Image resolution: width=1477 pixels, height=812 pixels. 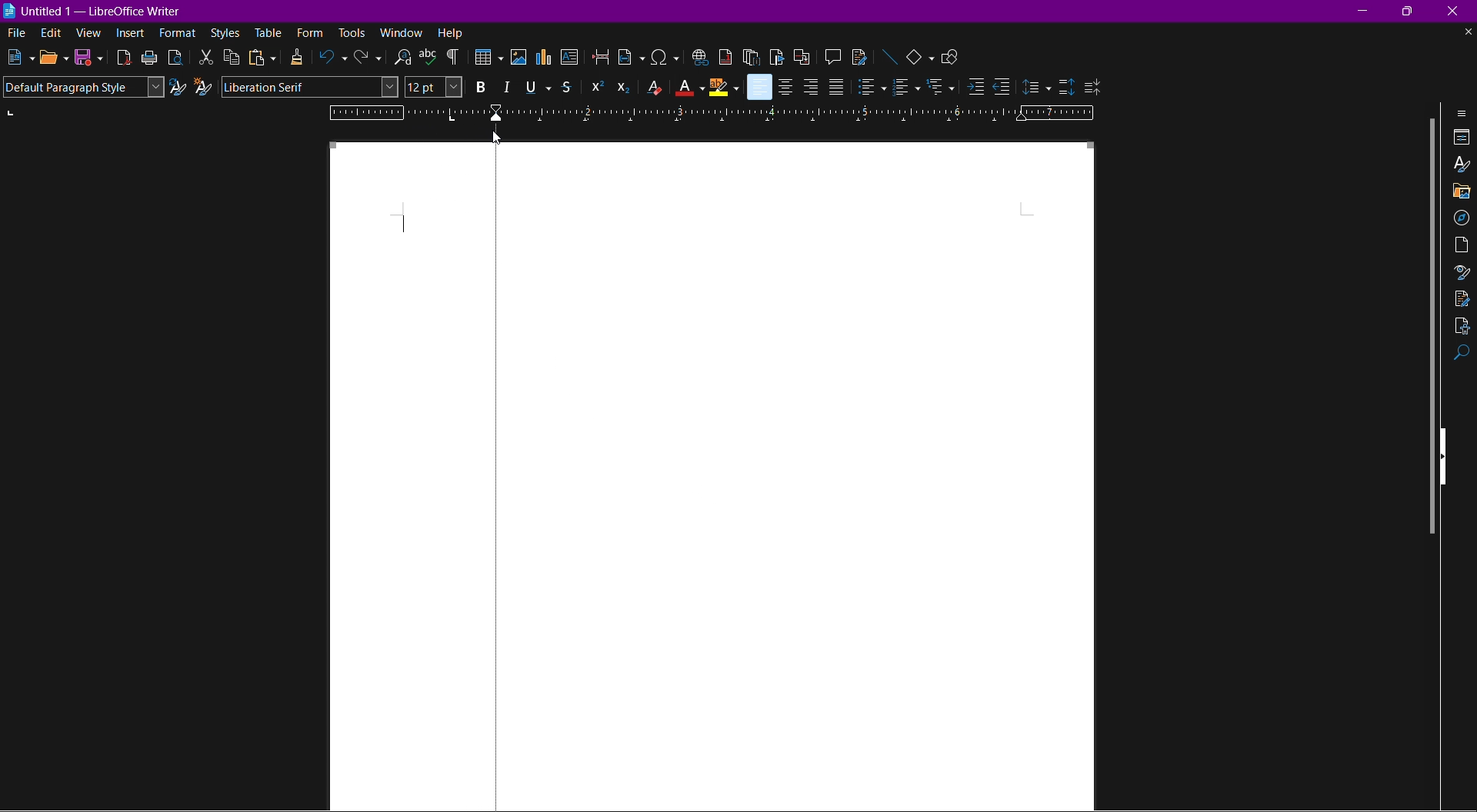 What do you see at coordinates (632, 58) in the screenshot?
I see `Insert new page` at bounding box center [632, 58].